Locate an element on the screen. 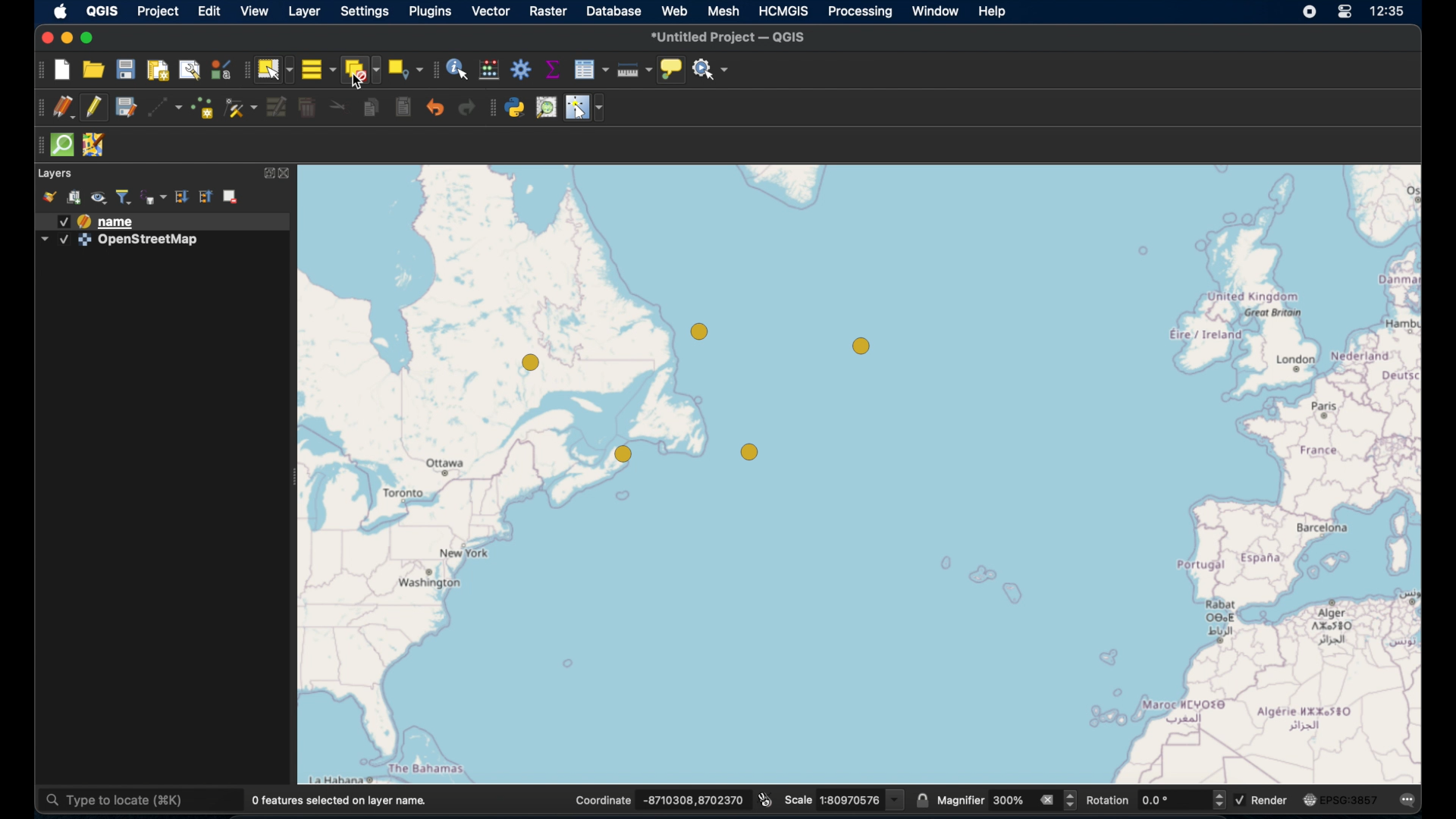 This screenshot has width=1456, height=819. show map tips is located at coordinates (670, 70).